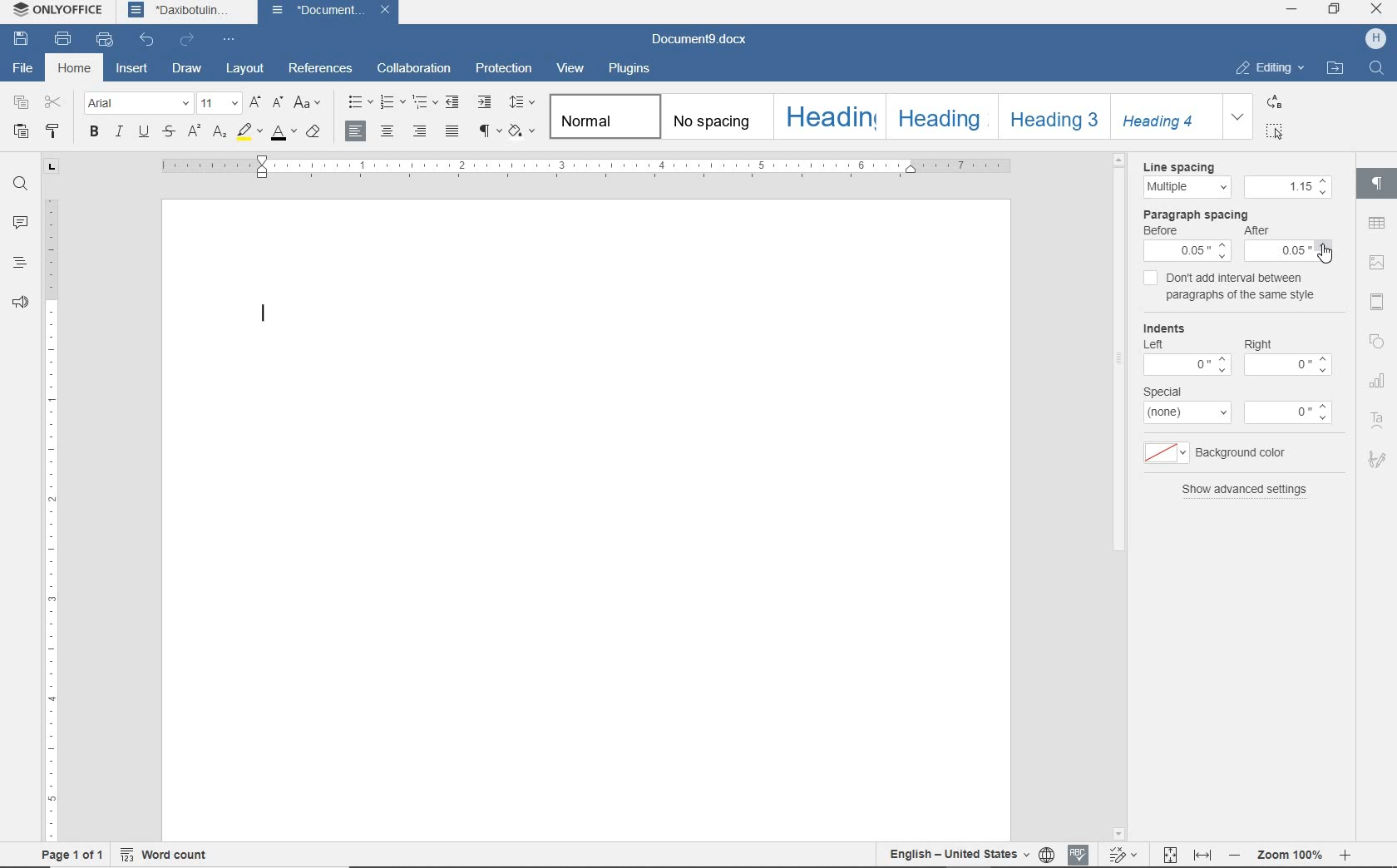 The image size is (1397, 868). Describe the element at coordinates (283, 133) in the screenshot. I see `font color` at that location.